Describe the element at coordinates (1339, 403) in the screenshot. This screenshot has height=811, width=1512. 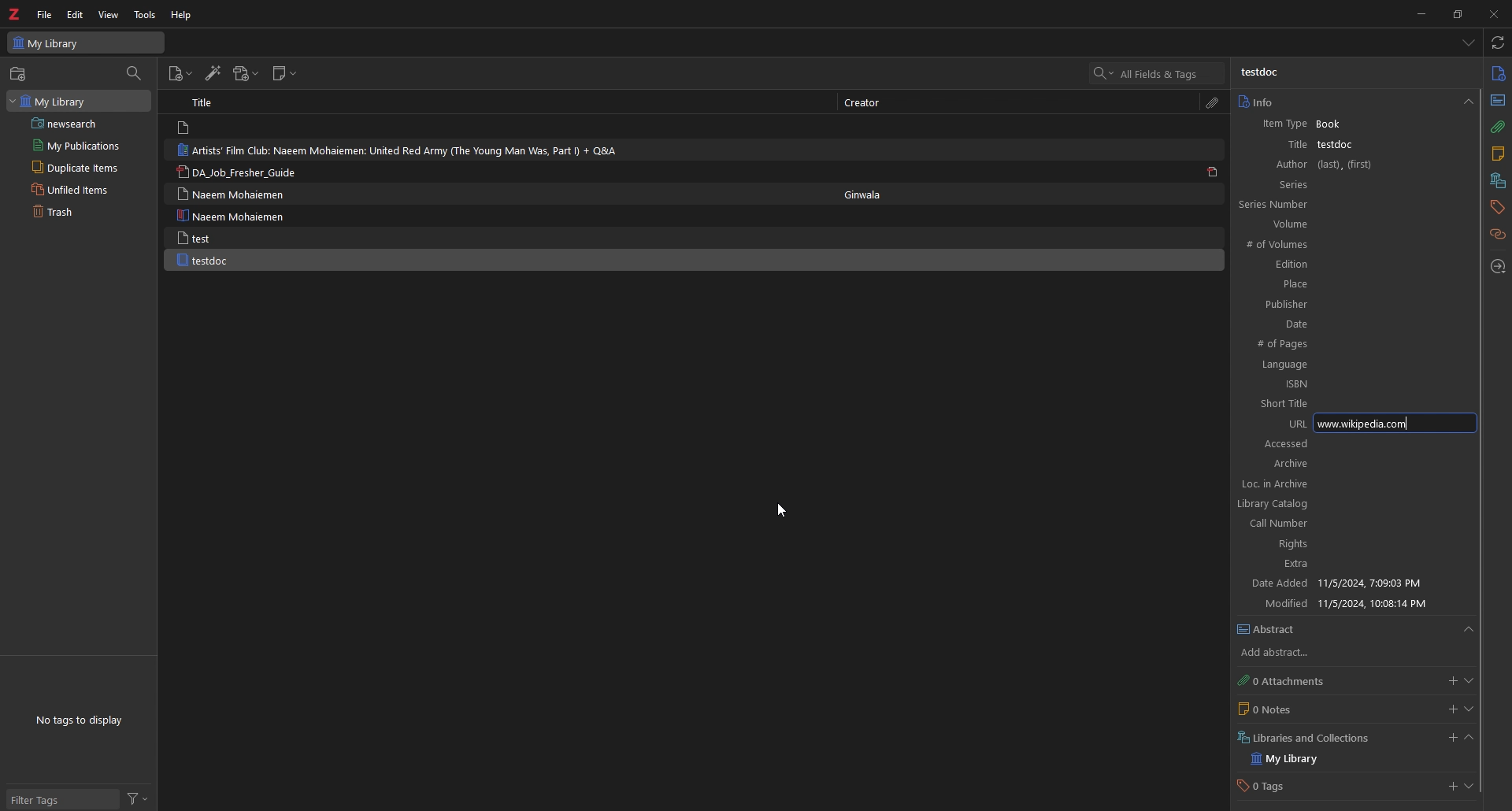
I see `Short Title` at that location.